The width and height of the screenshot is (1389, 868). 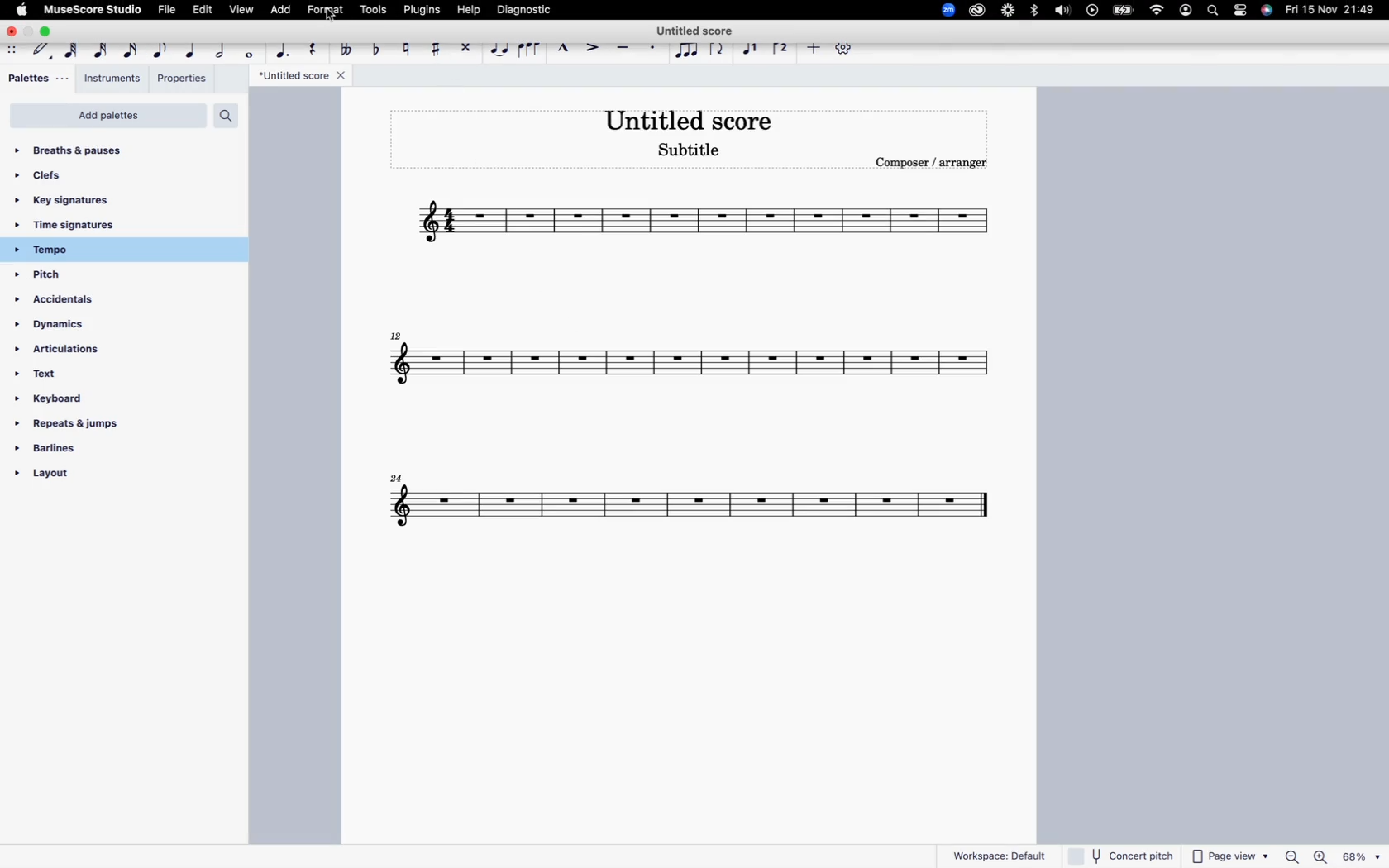 What do you see at coordinates (21, 9) in the screenshot?
I see `apple` at bounding box center [21, 9].